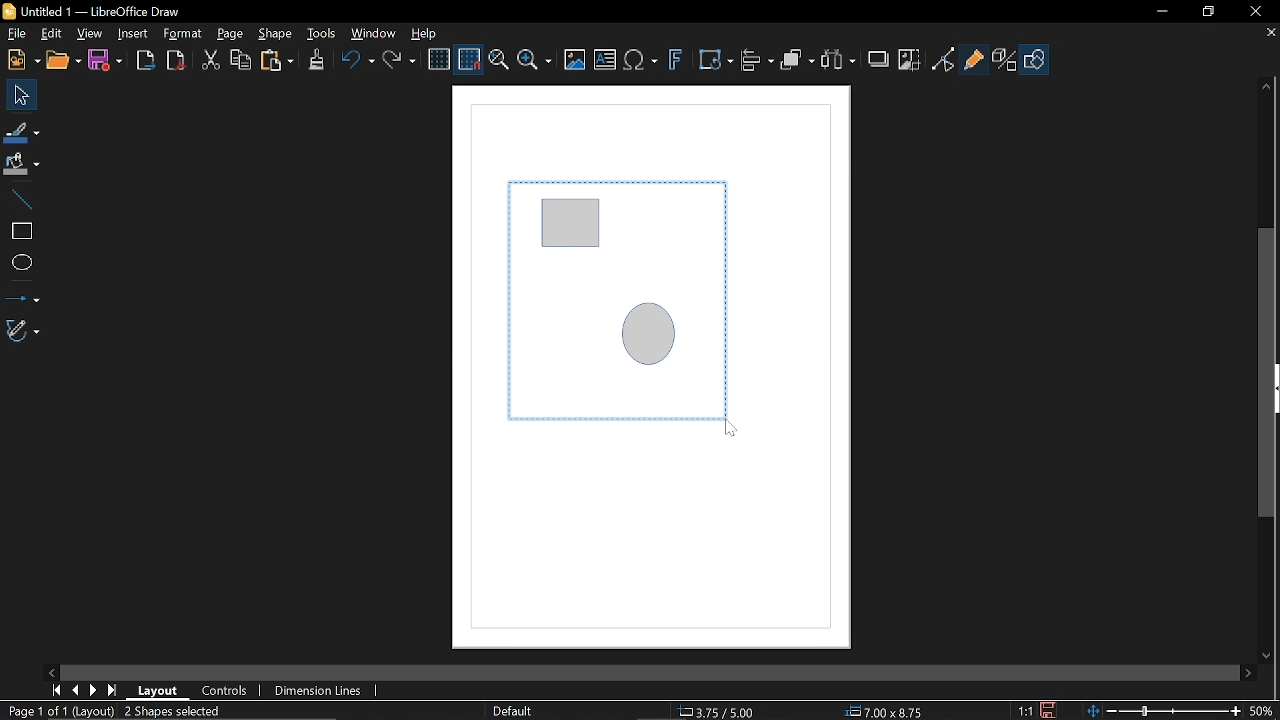 This screenshot has width=1280, height=720. What do you see at coordinates (222, 691) in the screenshot?
I see `Controls` at bounding box center [222, 691].